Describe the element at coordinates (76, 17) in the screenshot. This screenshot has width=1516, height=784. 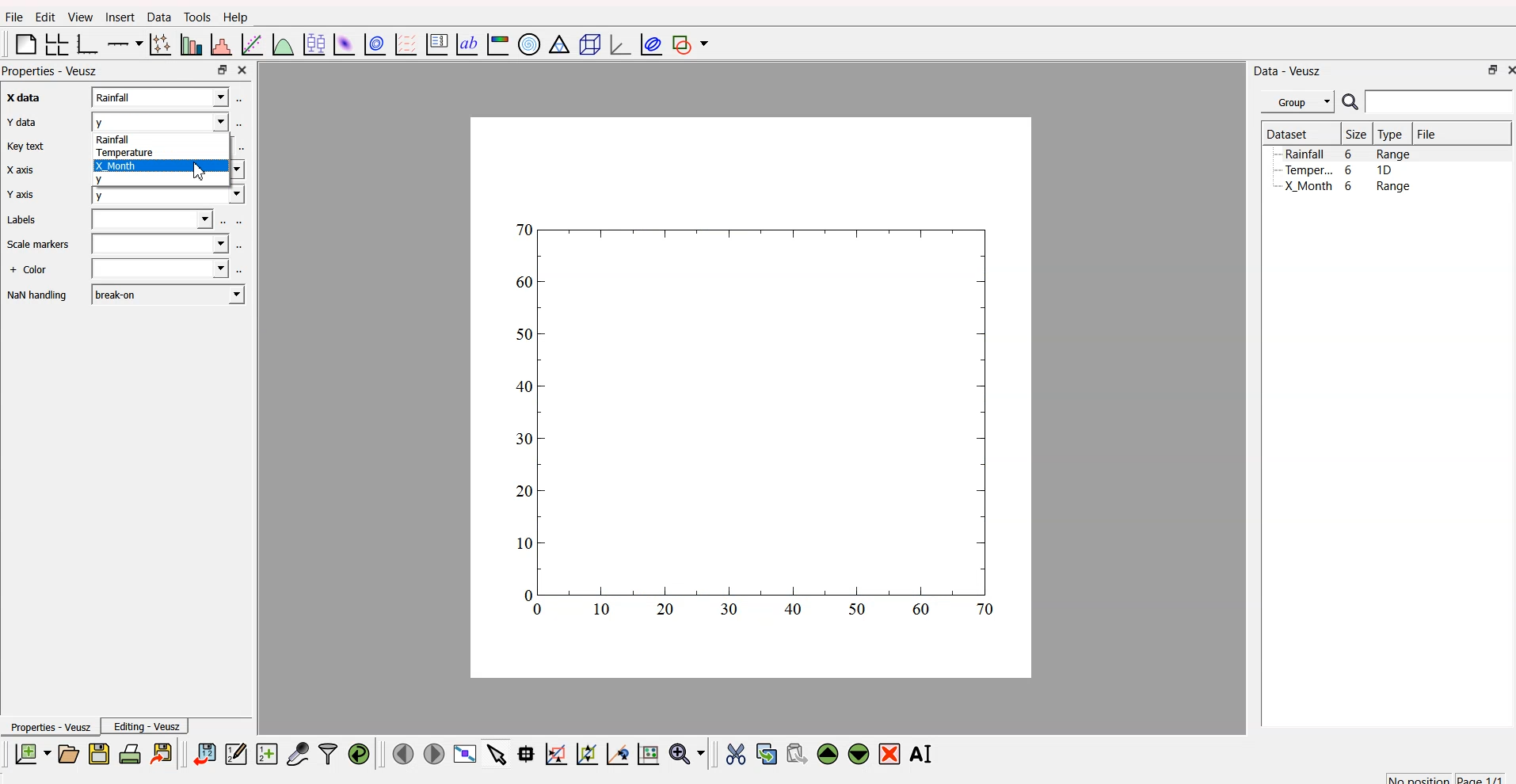
I see `View` at that location.